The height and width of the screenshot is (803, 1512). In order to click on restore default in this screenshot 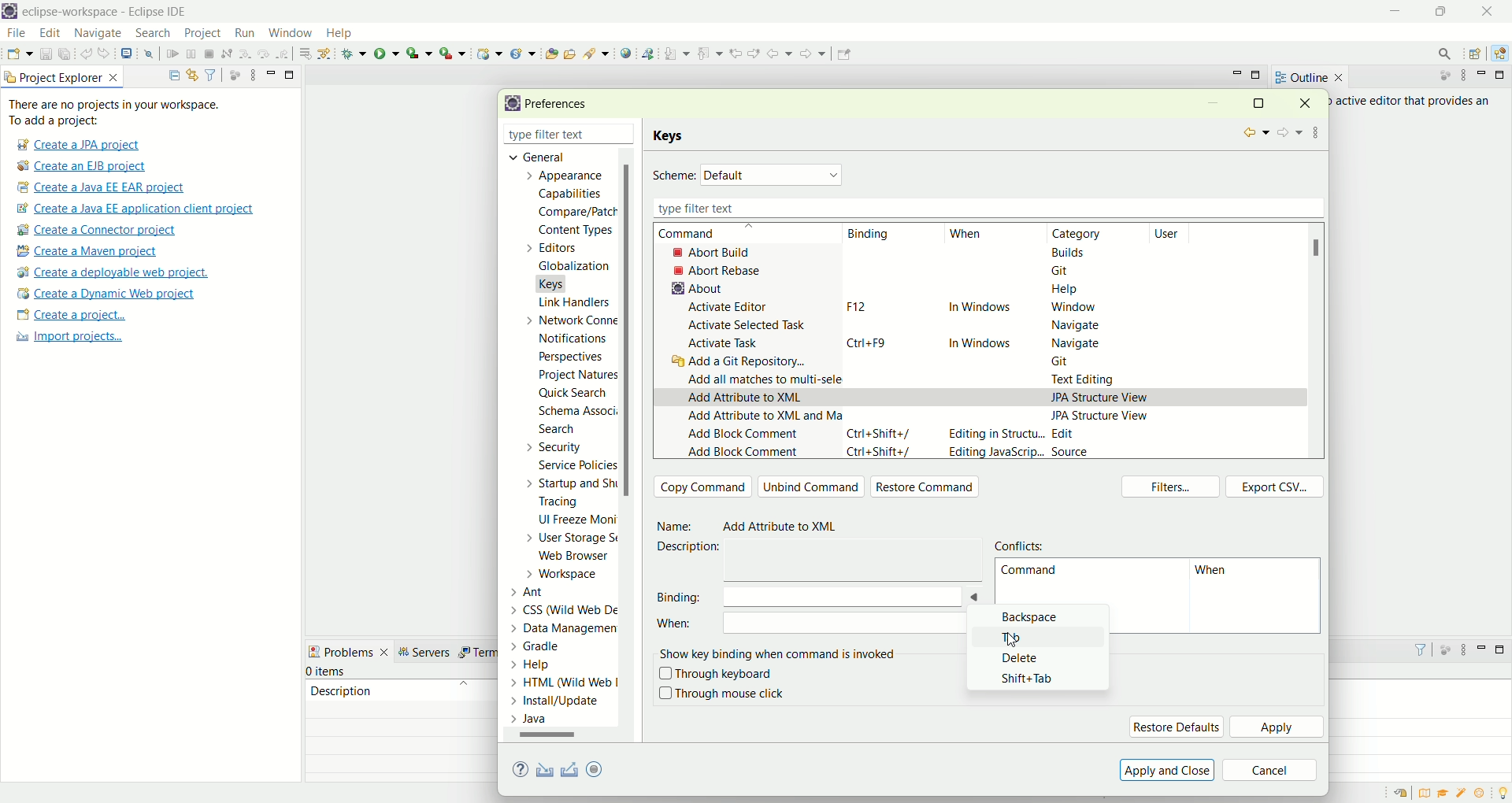, I will do `click(1176, 727)`.